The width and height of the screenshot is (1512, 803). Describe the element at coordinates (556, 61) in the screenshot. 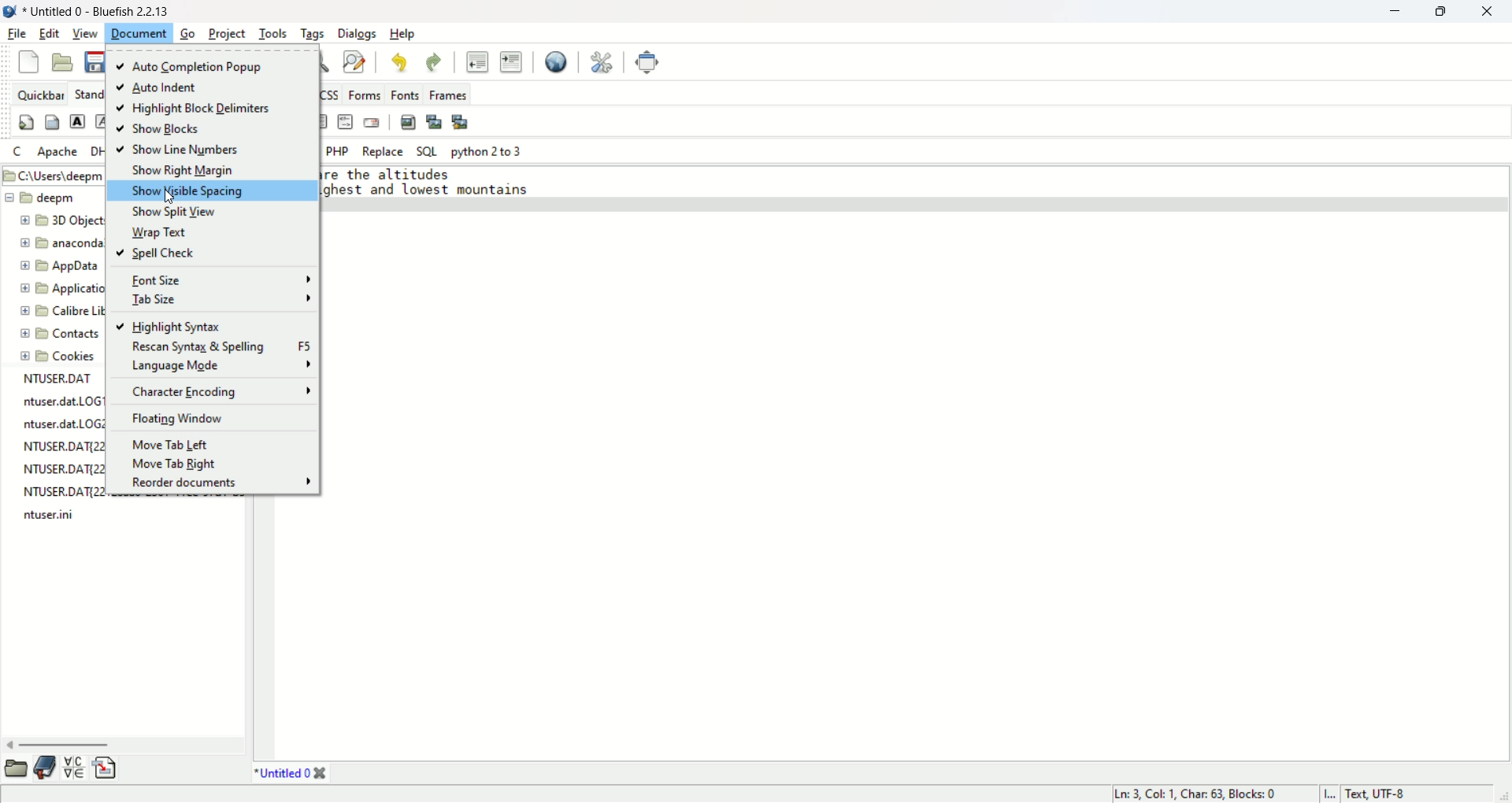

I see `preview in browser` at that location.